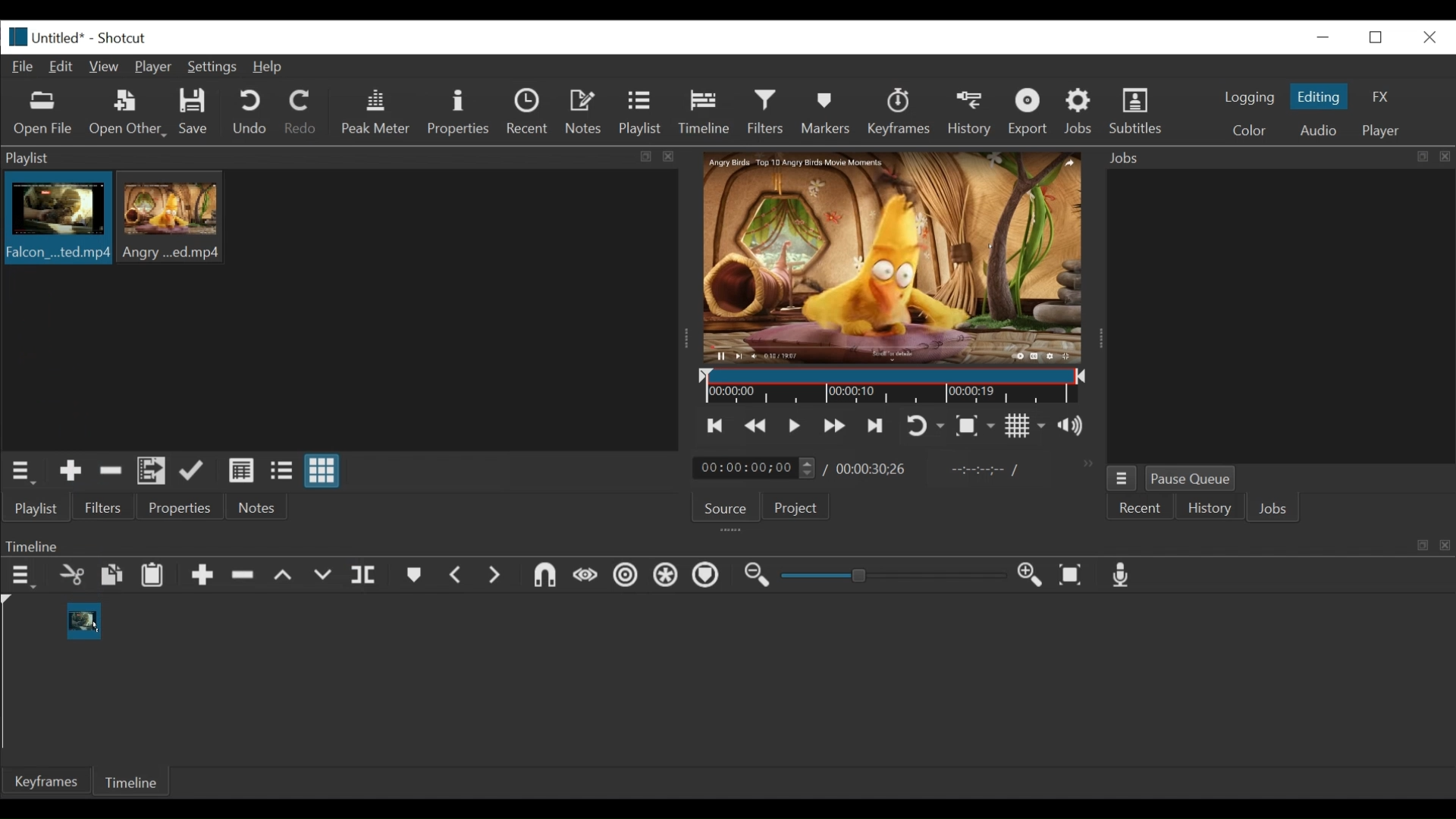  What do you see at coordinates (257, 507) in the screenshot?
I see `Notes` at bounding box center [257, 507].